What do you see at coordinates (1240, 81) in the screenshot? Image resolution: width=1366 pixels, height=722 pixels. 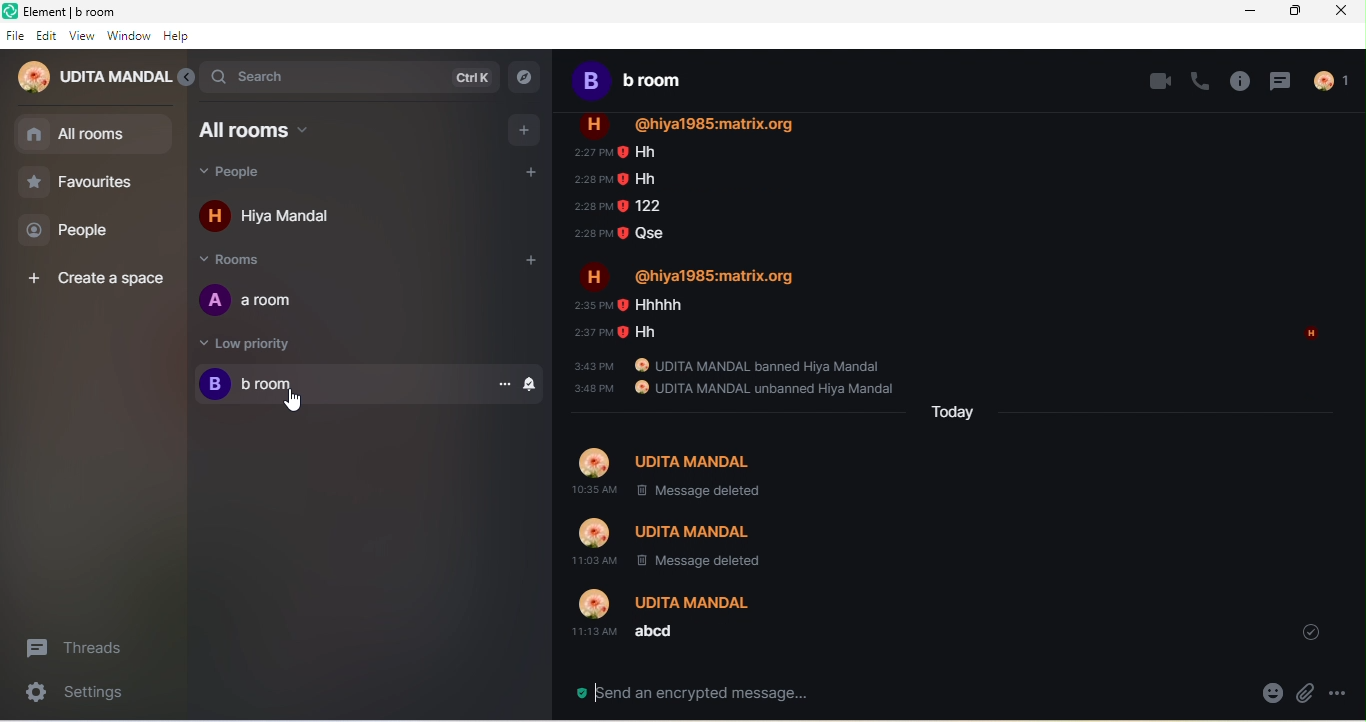 I see `room info` at bounding box center [1240, 81].